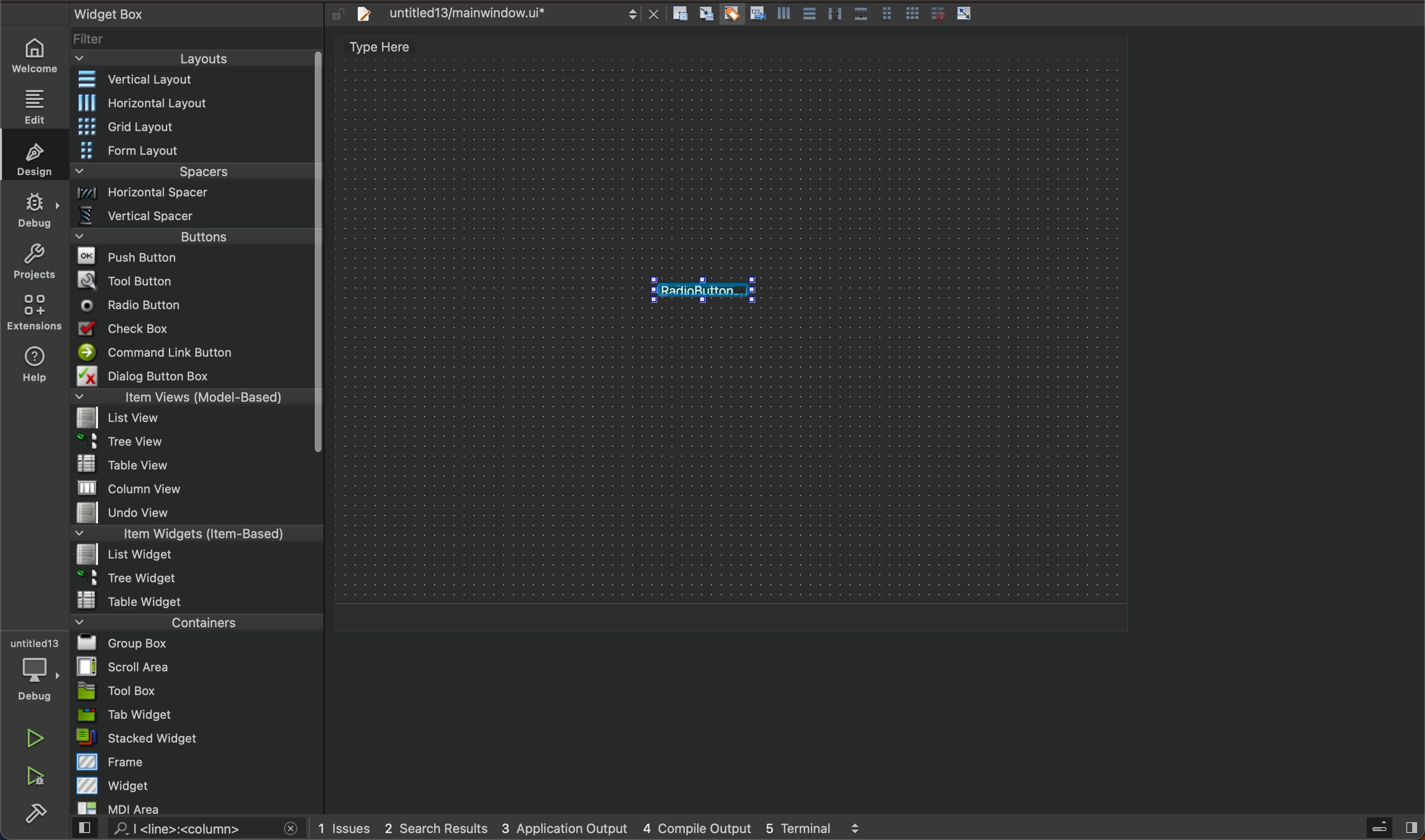 The height and width of the screenshot is (840, 1425). I want to click on list view, so click(190, 422).